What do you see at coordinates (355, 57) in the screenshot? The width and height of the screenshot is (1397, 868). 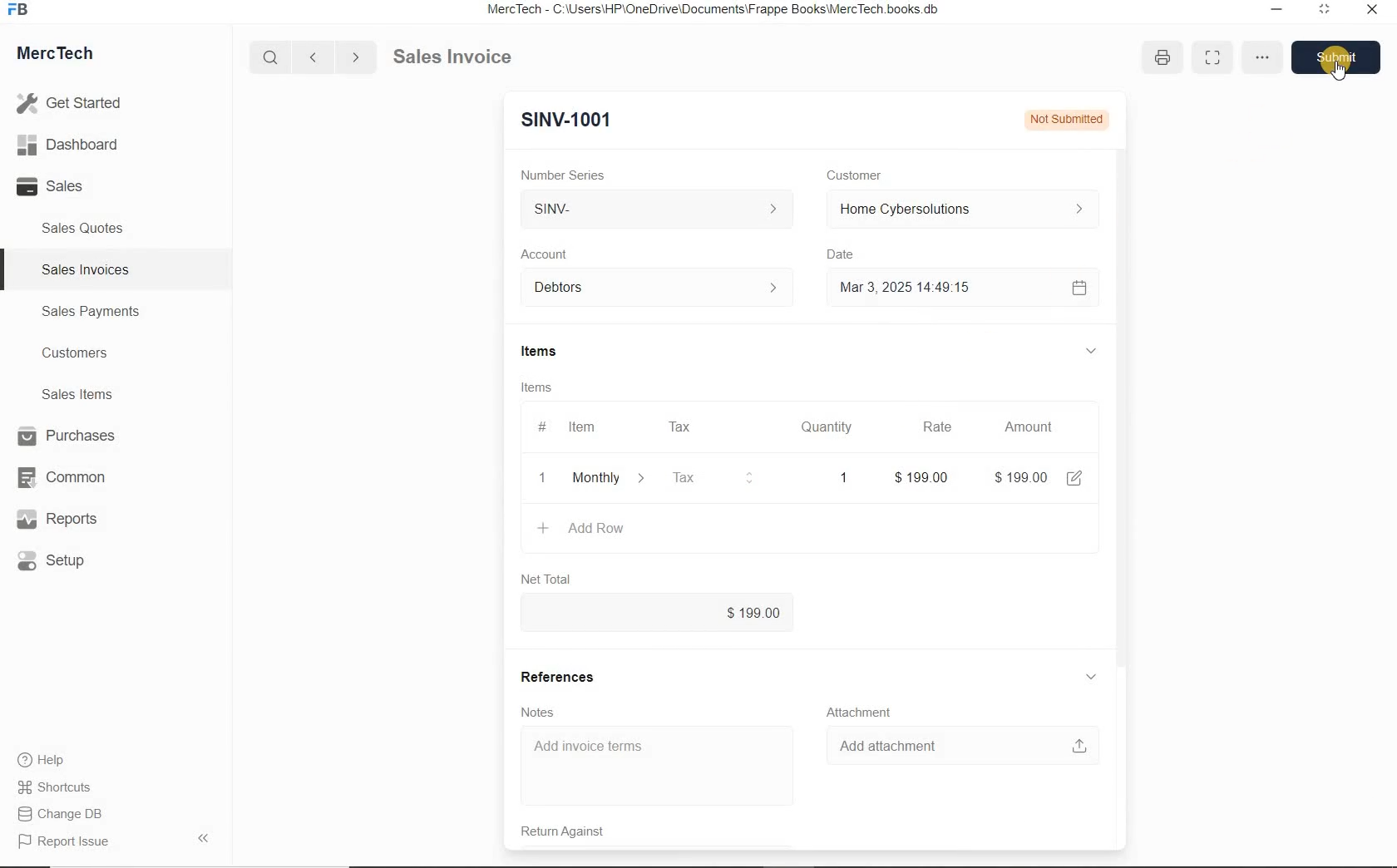 I see `Go forward` at bounding box center [355, 57].